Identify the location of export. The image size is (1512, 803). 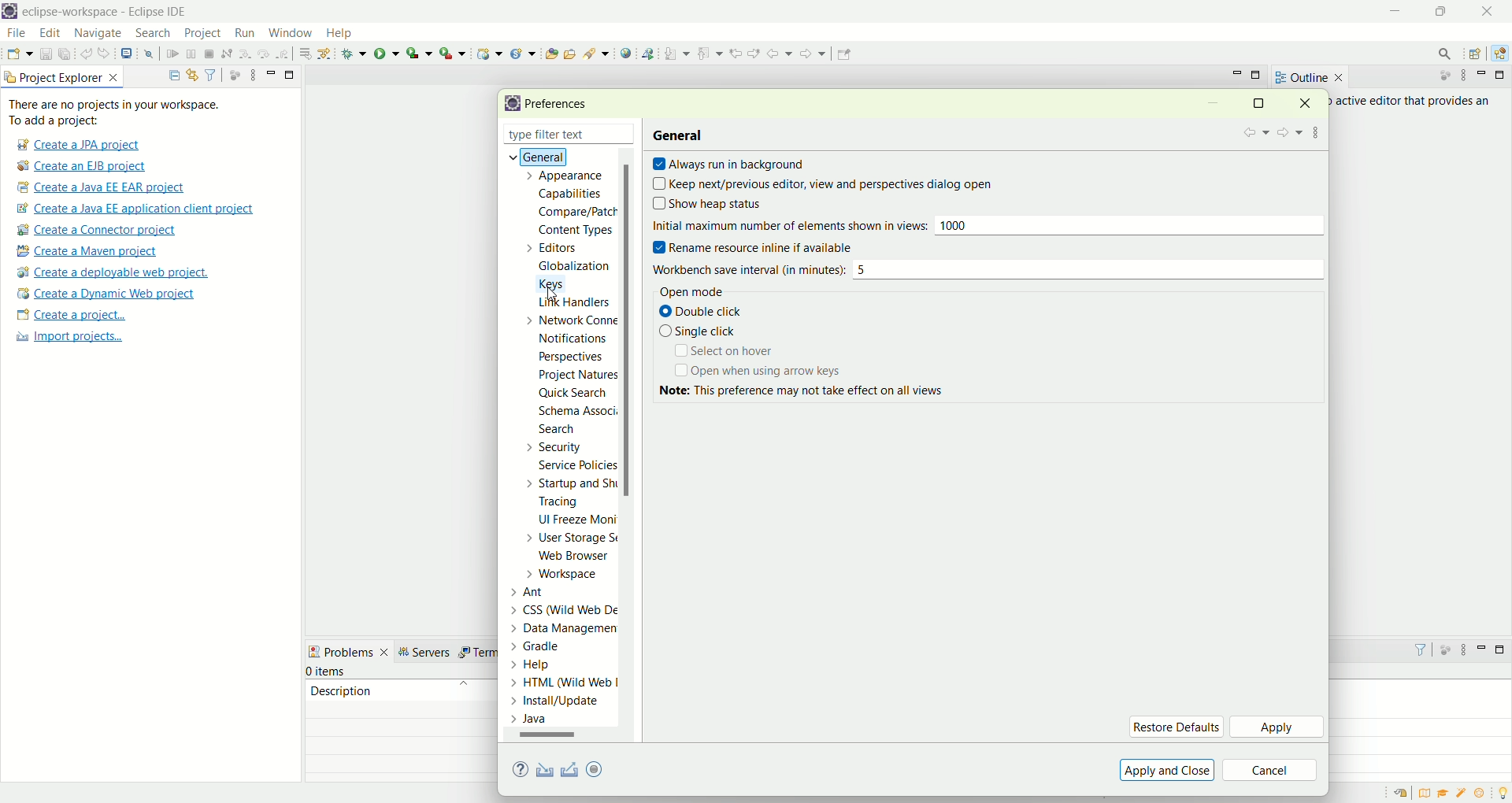
(606, 768).